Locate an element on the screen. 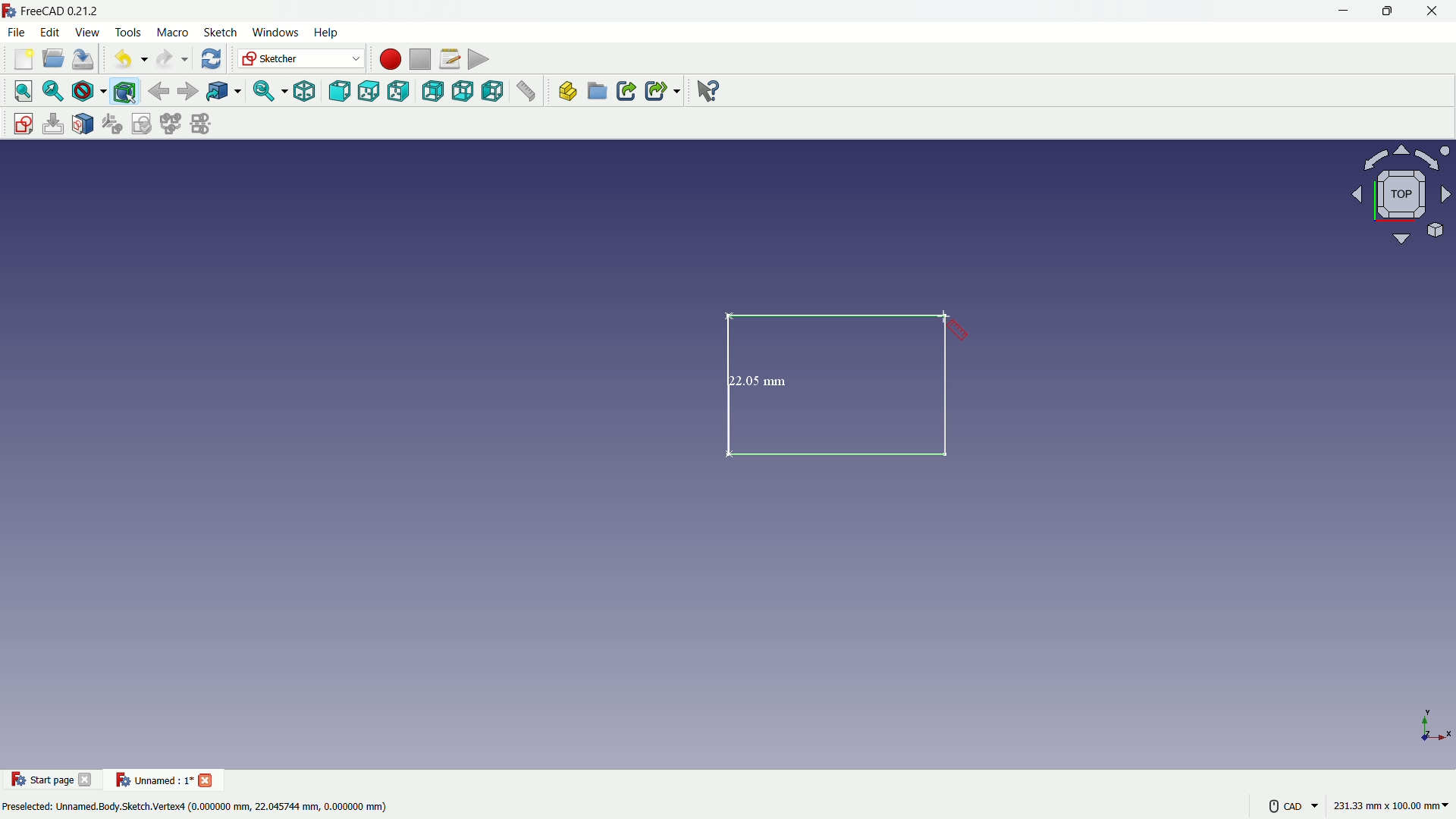 This screenshot has height=819, width=1456. create part is located at coordinates (564, 93).